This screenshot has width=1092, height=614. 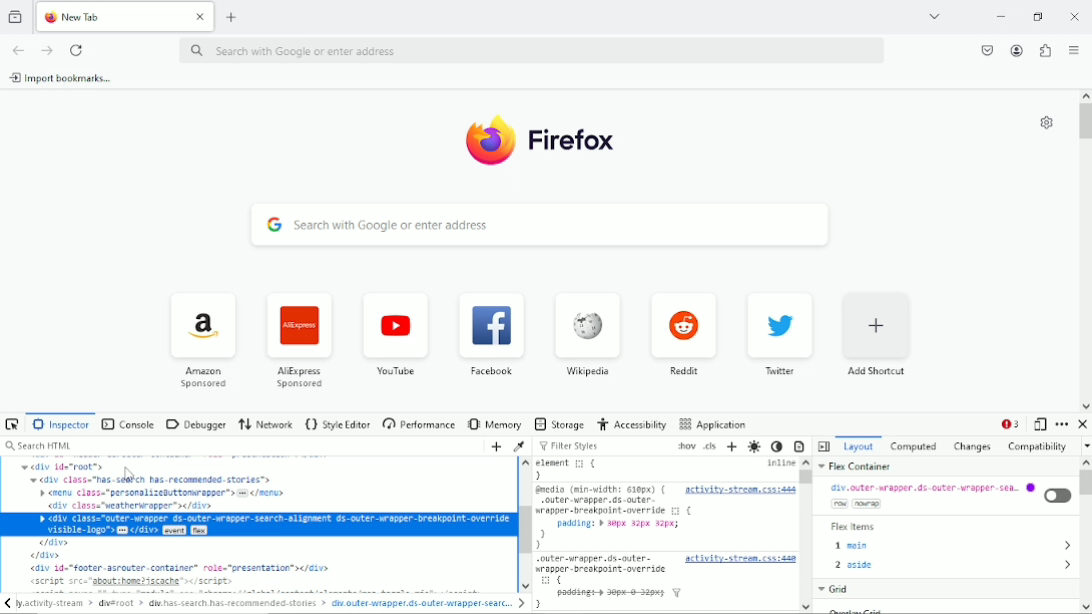 I want to click on Flex items, so click(x=854, y=528).